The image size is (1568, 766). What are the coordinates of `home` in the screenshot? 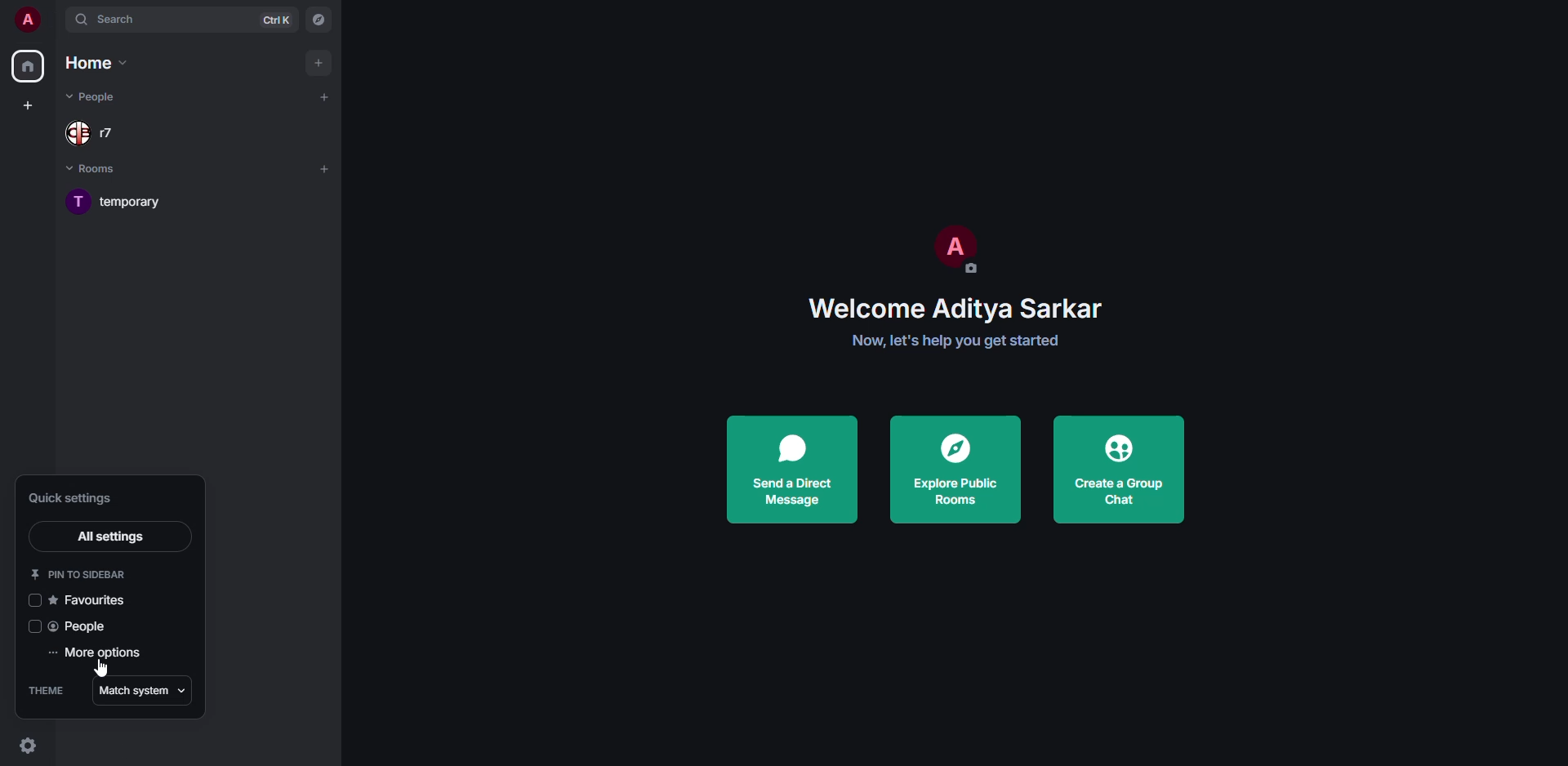 It's located at (98, 62).